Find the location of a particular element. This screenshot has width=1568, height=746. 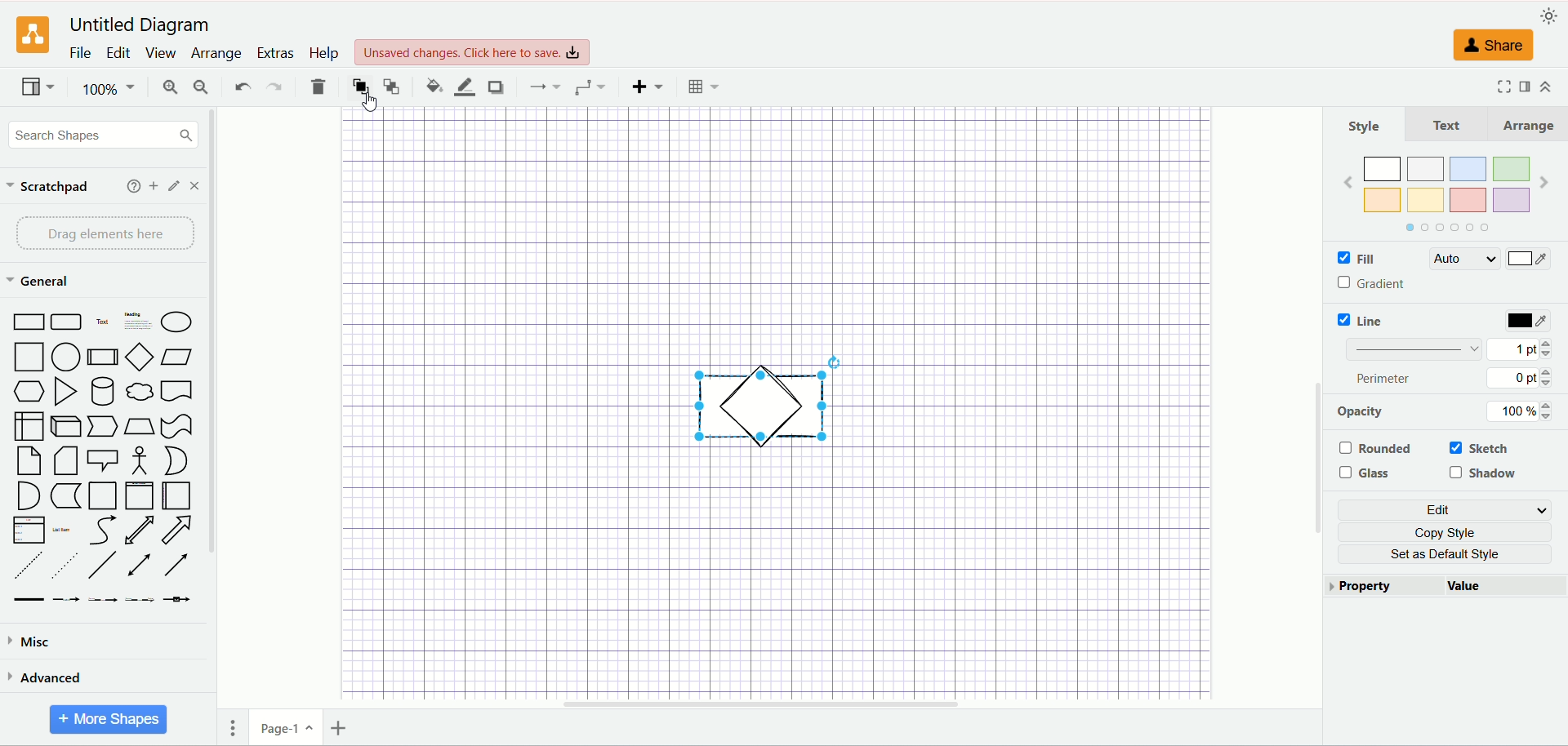

canvas is located at coordinates (775, 574).